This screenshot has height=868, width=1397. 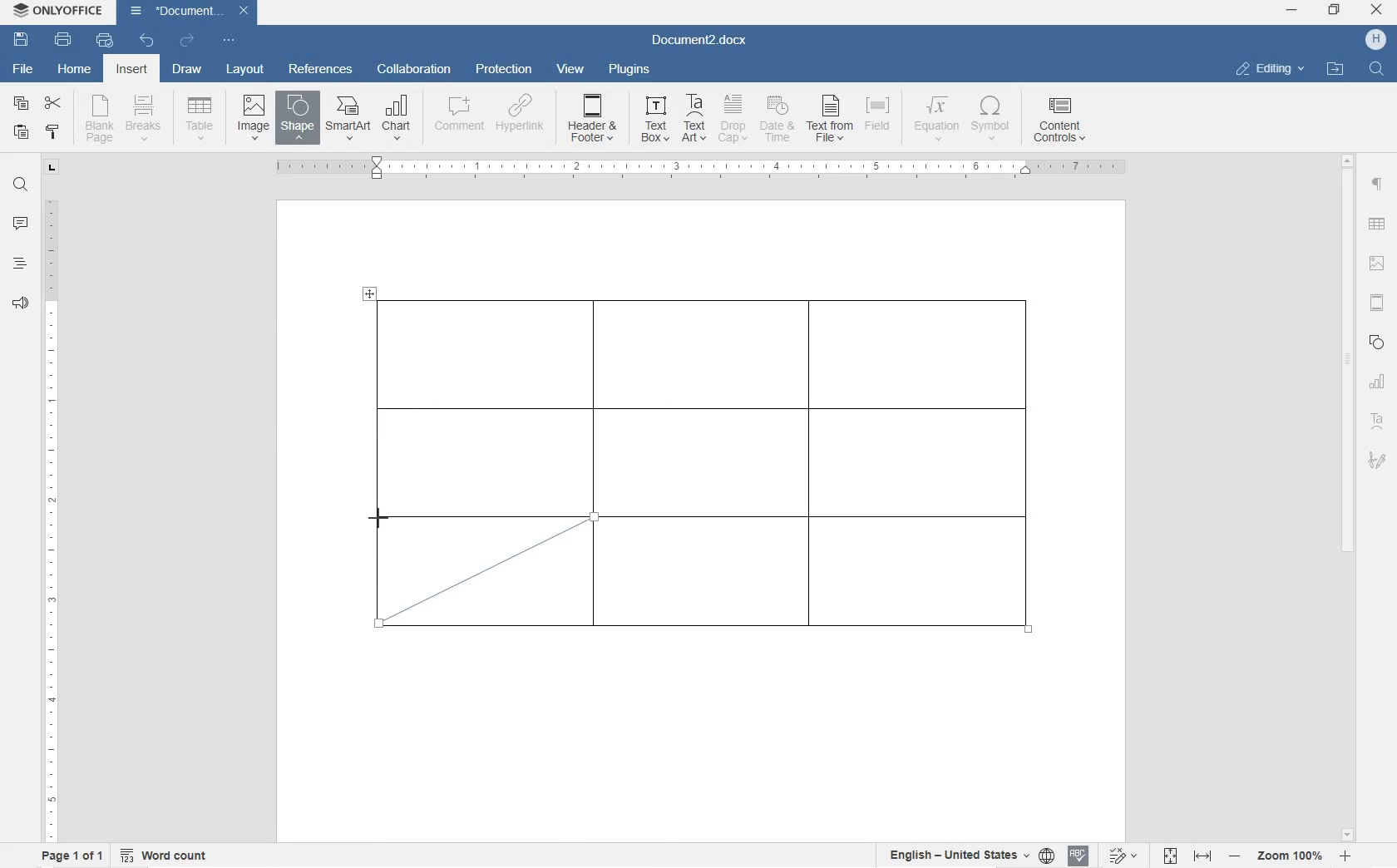 I want to click on EDITING, so click(x=1271, y=68).